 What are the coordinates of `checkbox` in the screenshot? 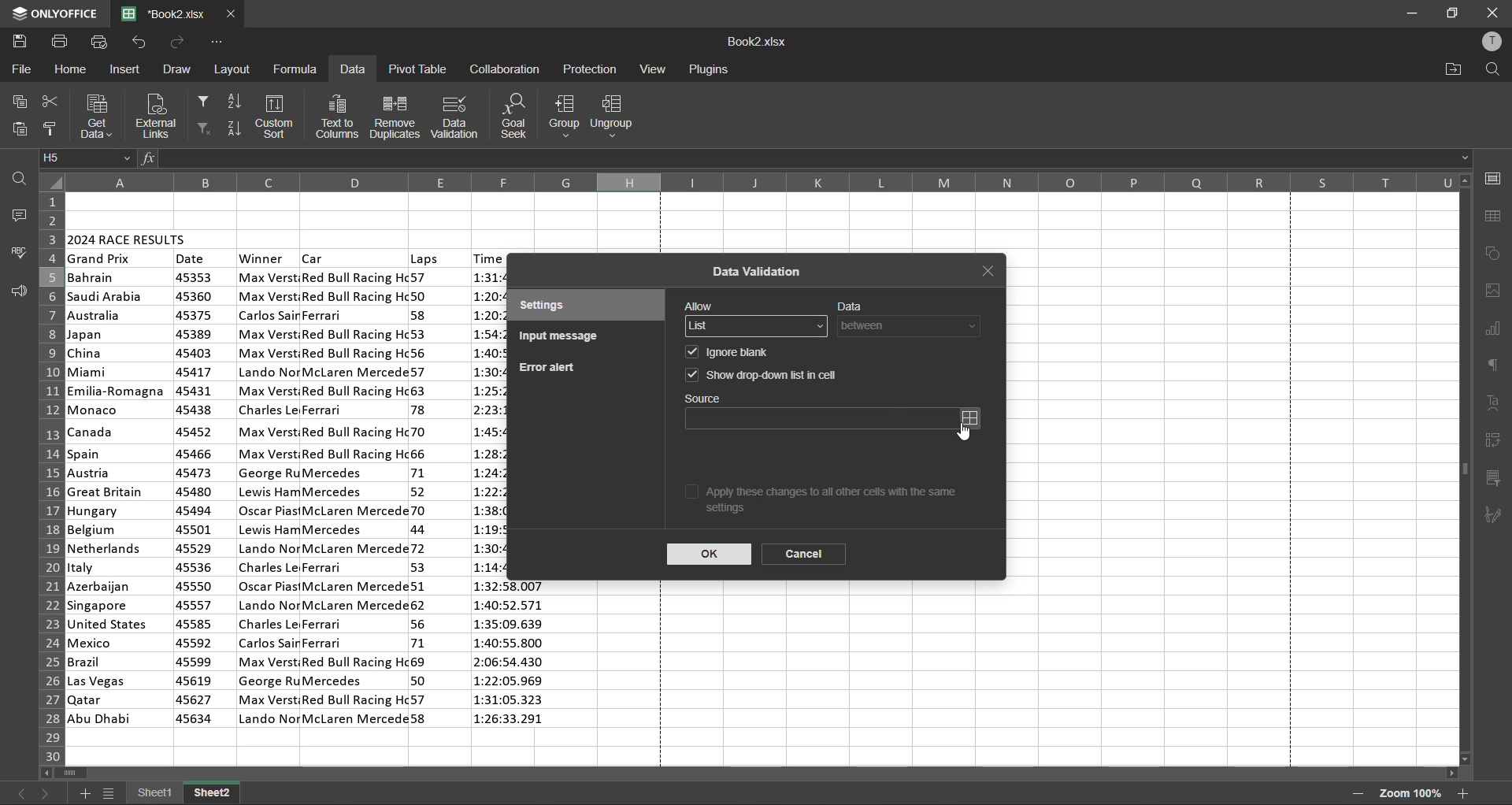 It's located at (689, 353).